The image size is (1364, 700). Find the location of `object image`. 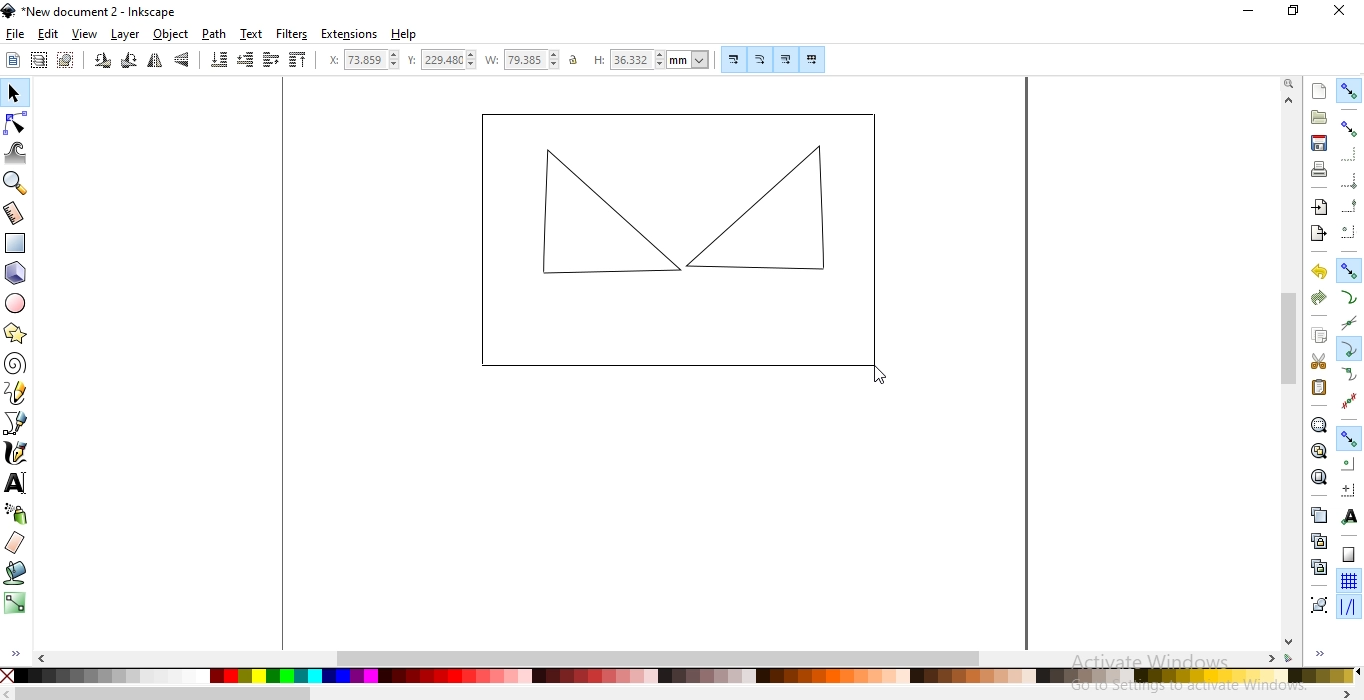

object image is located at coordinates (684, 245).